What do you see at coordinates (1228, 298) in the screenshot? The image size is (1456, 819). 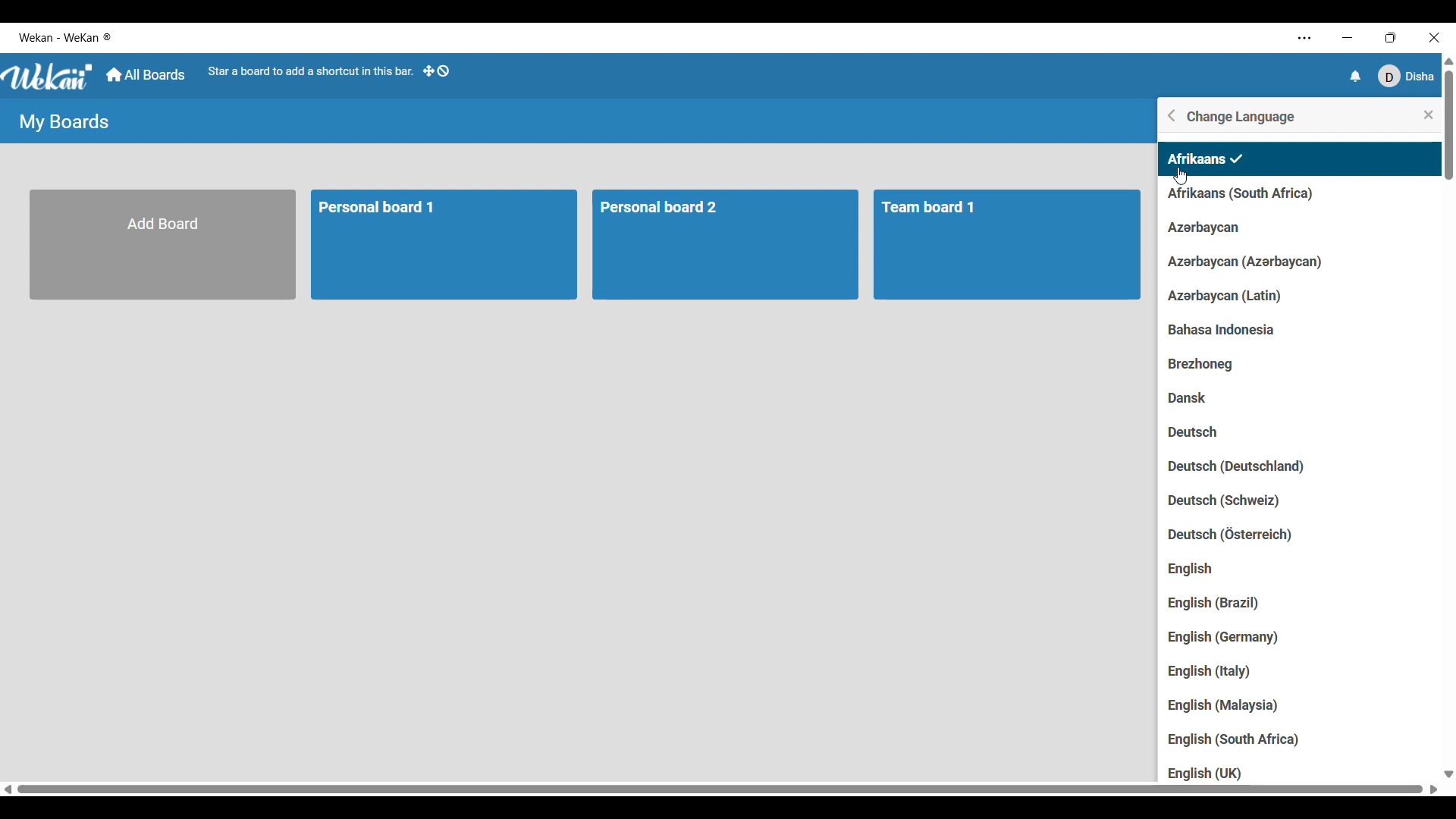 I see `Azarbaycan (Latin)` at bounding box center [1228, 298].